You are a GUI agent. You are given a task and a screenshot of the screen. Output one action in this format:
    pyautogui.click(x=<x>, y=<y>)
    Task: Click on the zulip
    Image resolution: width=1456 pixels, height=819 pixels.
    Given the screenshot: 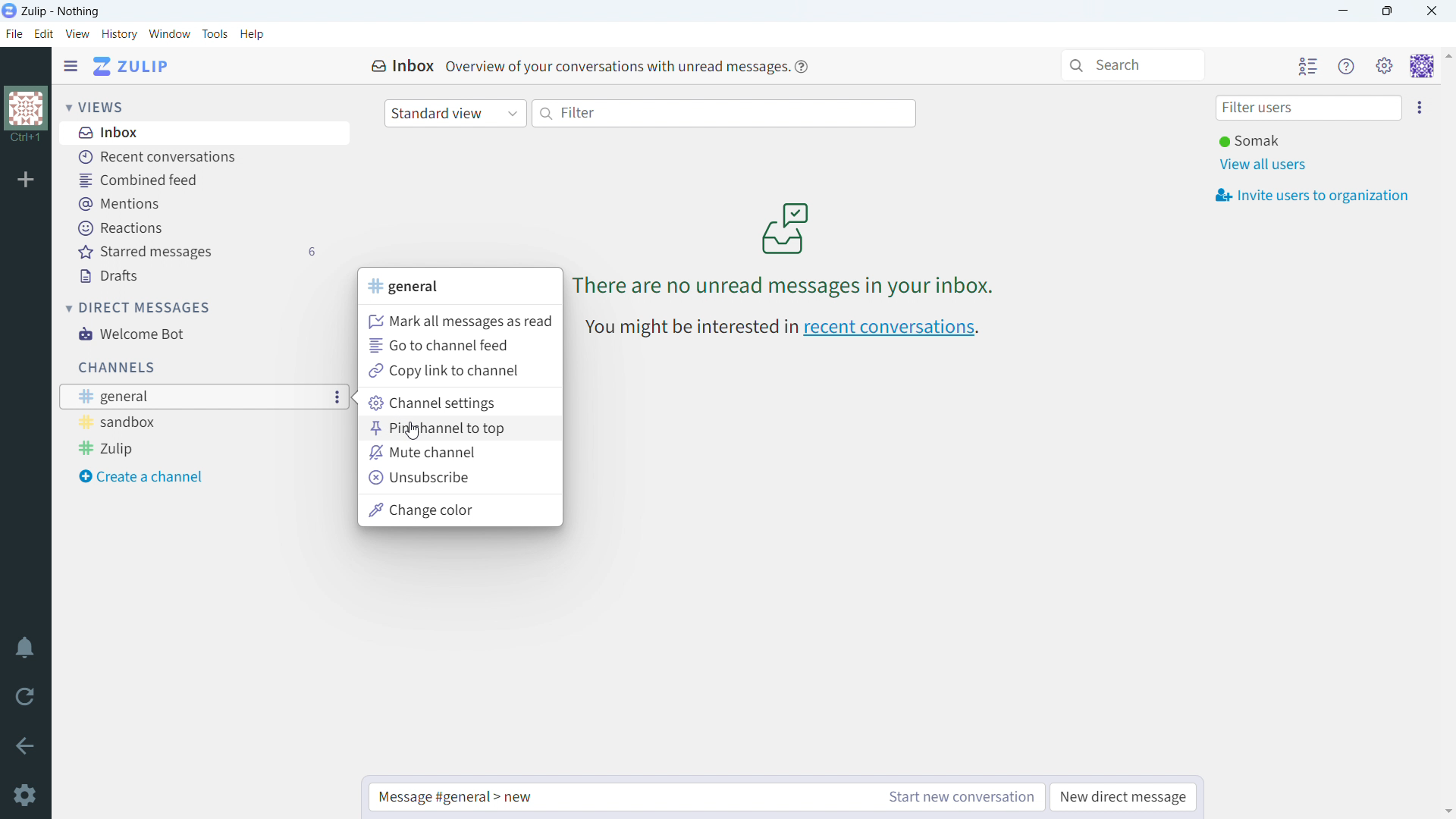 What is the action you would take?
    pyautogui.click(x=178, y=448)
    